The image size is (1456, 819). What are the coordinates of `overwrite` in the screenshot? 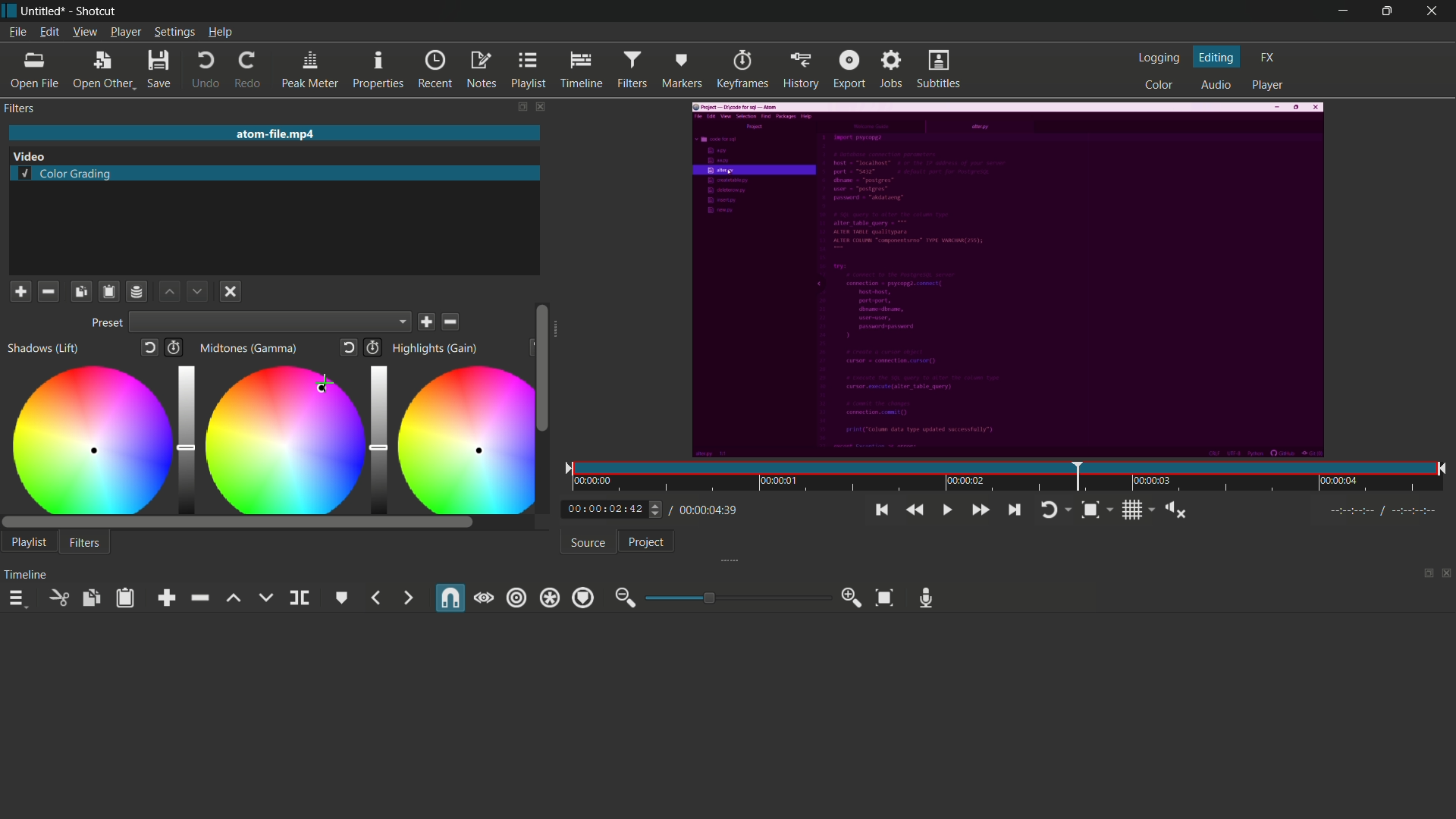 It's located at (265, 598).